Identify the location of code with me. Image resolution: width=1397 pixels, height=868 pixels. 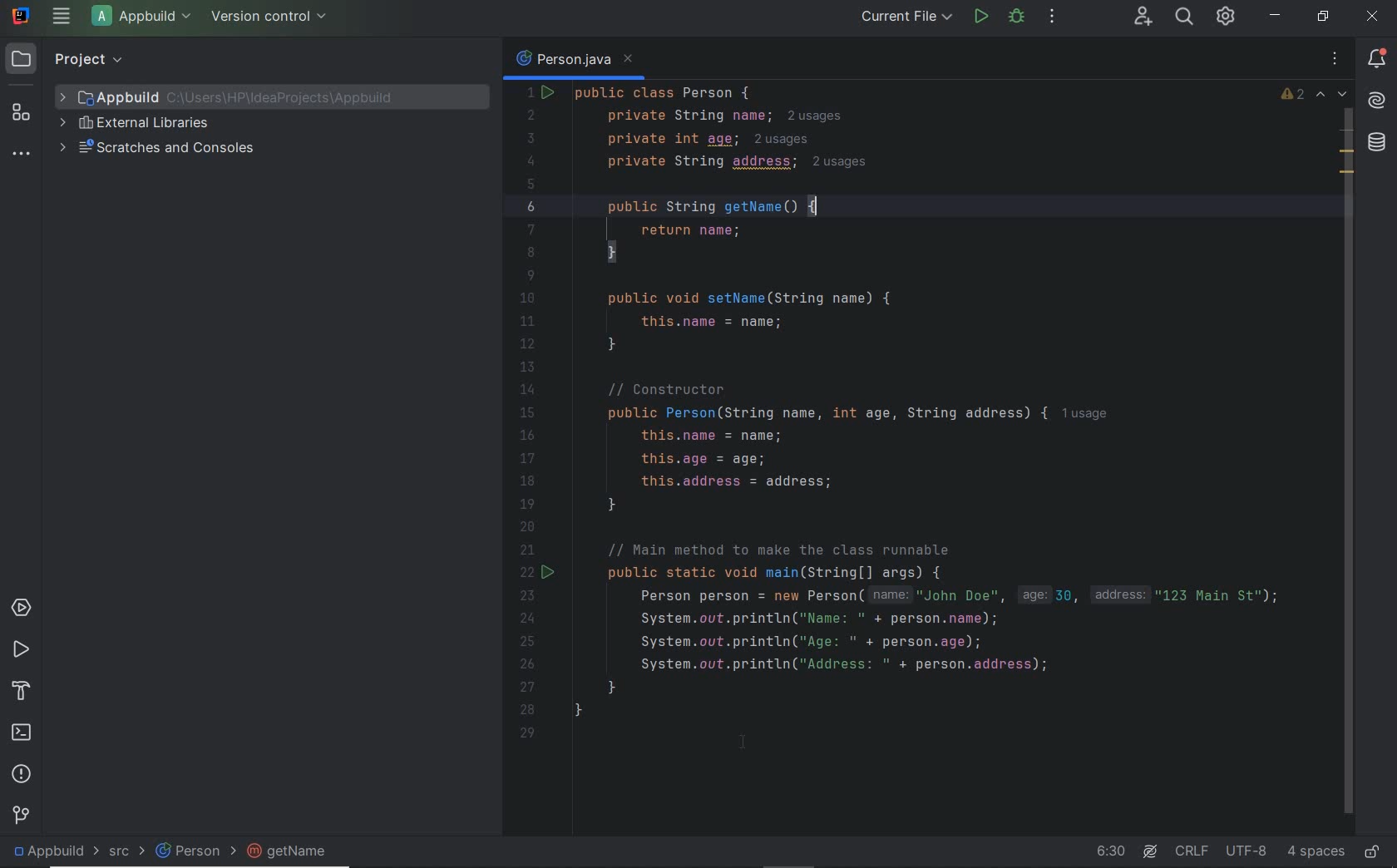
(1140, 17).